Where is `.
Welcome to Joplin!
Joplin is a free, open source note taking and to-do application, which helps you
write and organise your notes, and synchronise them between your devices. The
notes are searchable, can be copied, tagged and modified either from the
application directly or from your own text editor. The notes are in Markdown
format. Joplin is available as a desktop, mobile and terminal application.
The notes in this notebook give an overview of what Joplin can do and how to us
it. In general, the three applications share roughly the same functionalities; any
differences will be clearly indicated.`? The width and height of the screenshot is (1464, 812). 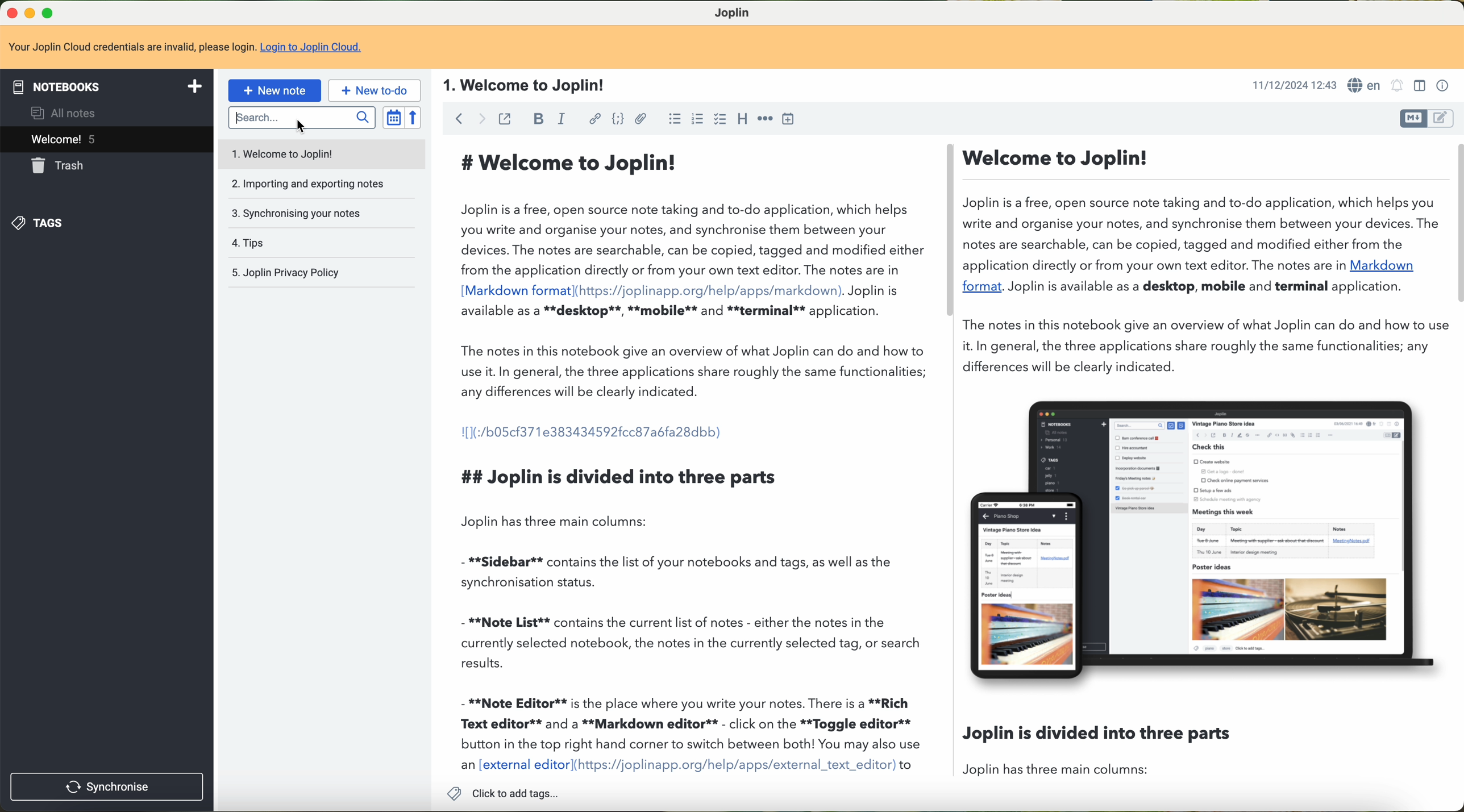 .
Welcome to Joplin!
Joplin is a free, open source note taking and to-do application, which helps you
write and organise your notes, and synchronise them between your devices. The
notes are searchable, can be copied, tagged and modified either from the
application directly or from your own text editor. The notes are in Markdown
format. Joplin is available as a desktop, mobile and terminal application.
The notes in this notebook give an overview of what Joplin can do and how to us
it. In general, the three applications share roughly the same functionalities; any
differences will be clearly indicated. is located at coordinates (1203, 262).